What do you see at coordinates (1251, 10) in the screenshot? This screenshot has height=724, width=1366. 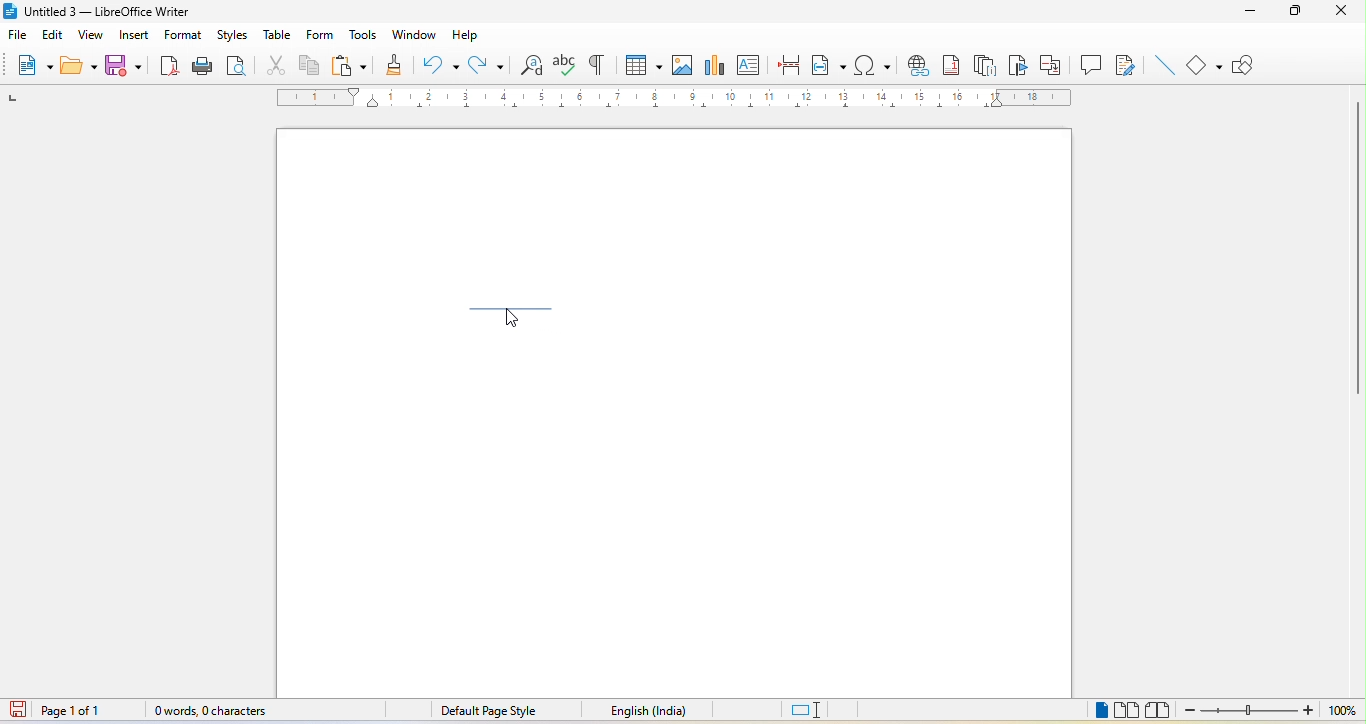 I see `minimize` at bounding box center [1251, 10].